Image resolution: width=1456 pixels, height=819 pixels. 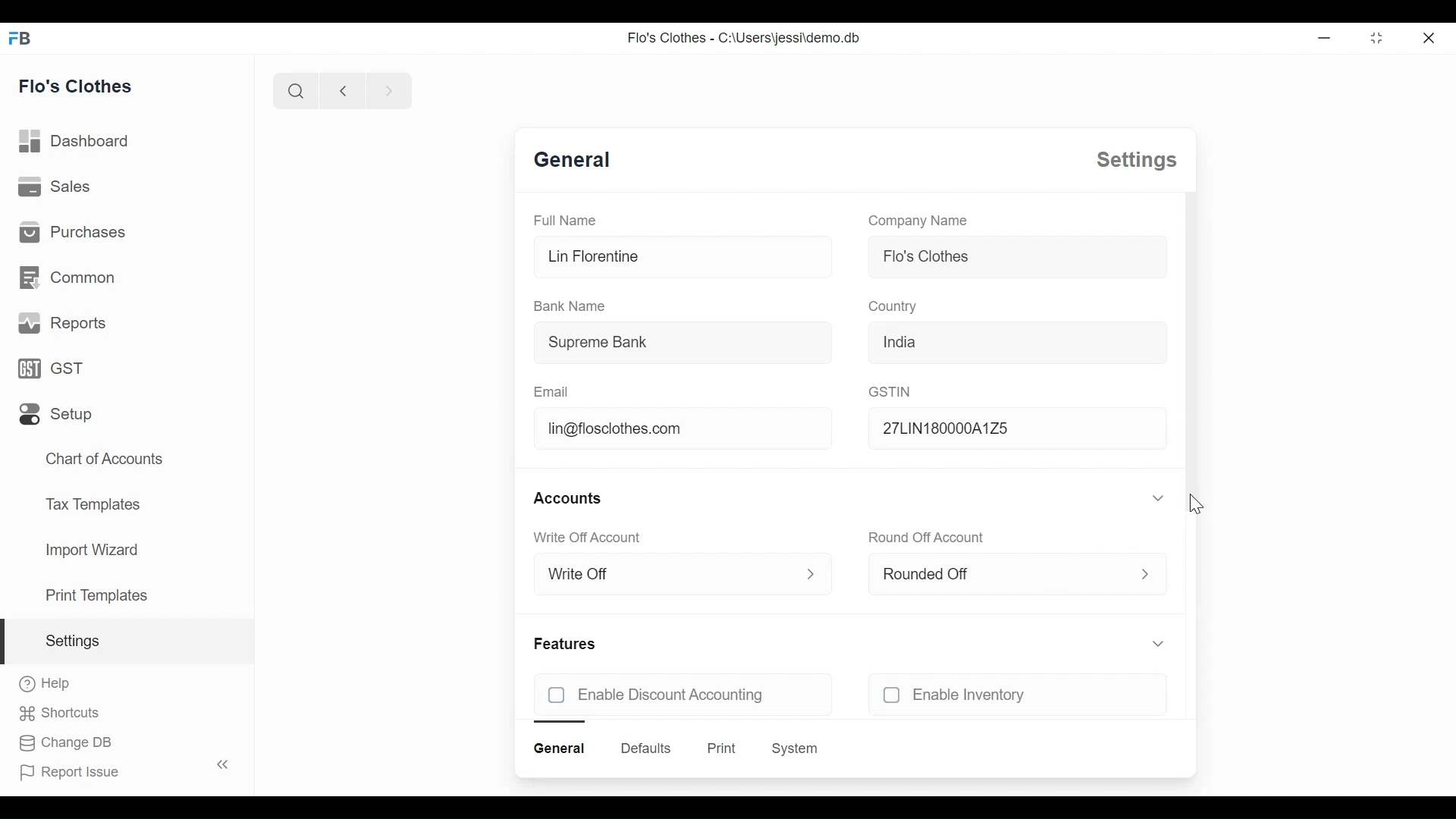 What do you see at coordinates (55, 187) in the screenshot?
I see `Sales` at bounding box center [55, 187].